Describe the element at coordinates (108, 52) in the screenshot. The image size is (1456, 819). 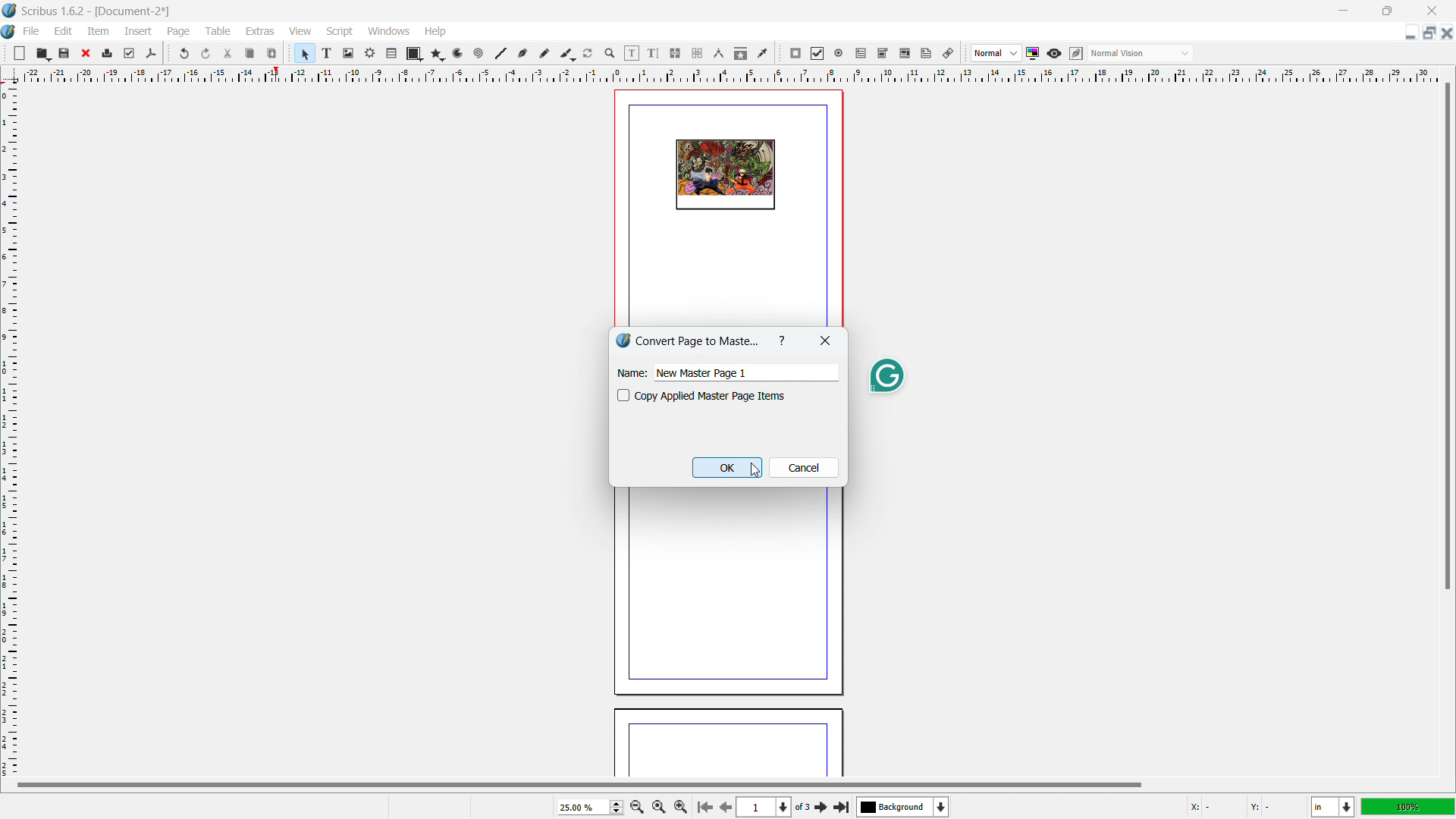
I see `print` at that location.